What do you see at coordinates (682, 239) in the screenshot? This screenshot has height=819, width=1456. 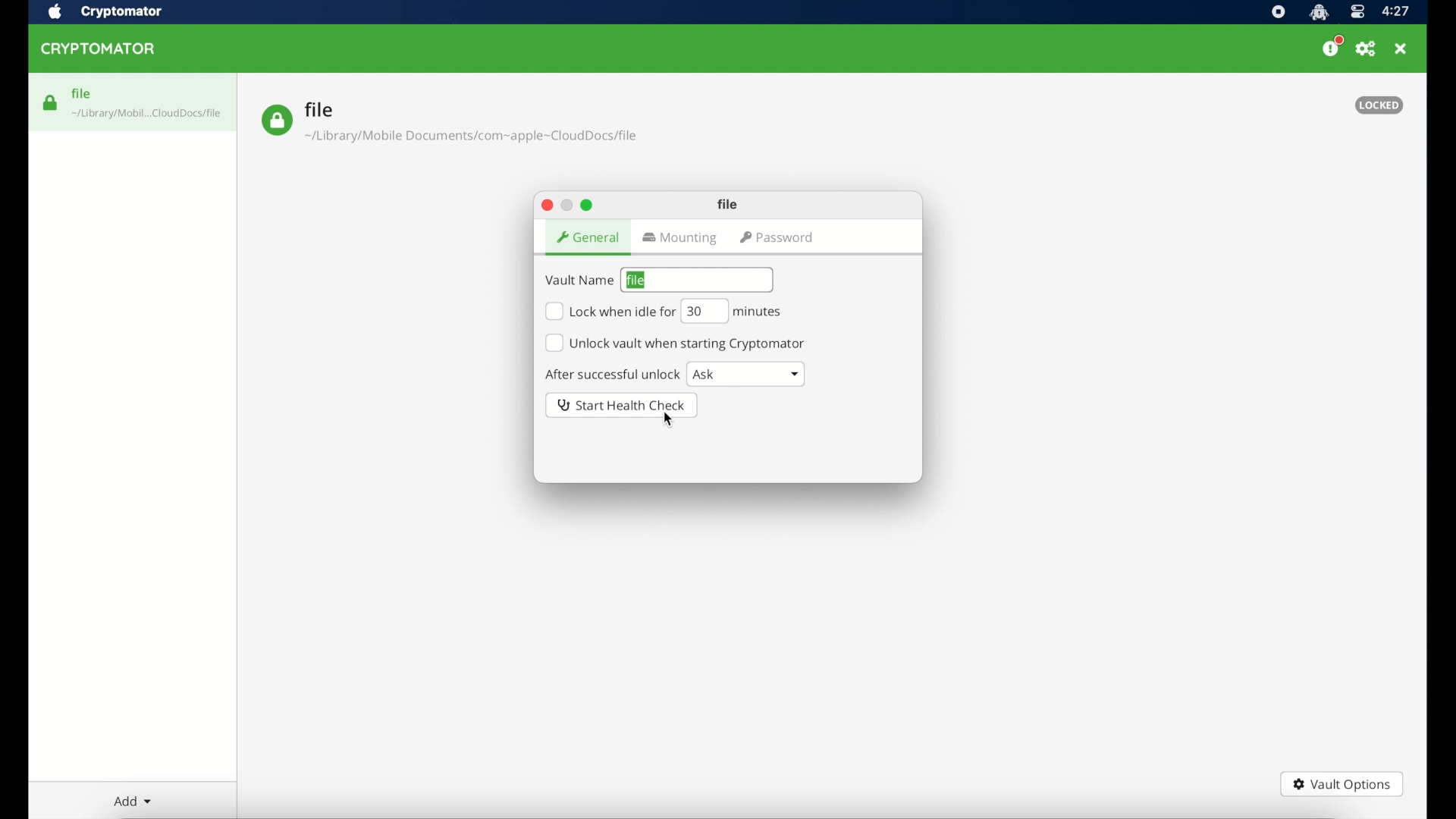 I see `mounting` at bounding box center [682, 239].